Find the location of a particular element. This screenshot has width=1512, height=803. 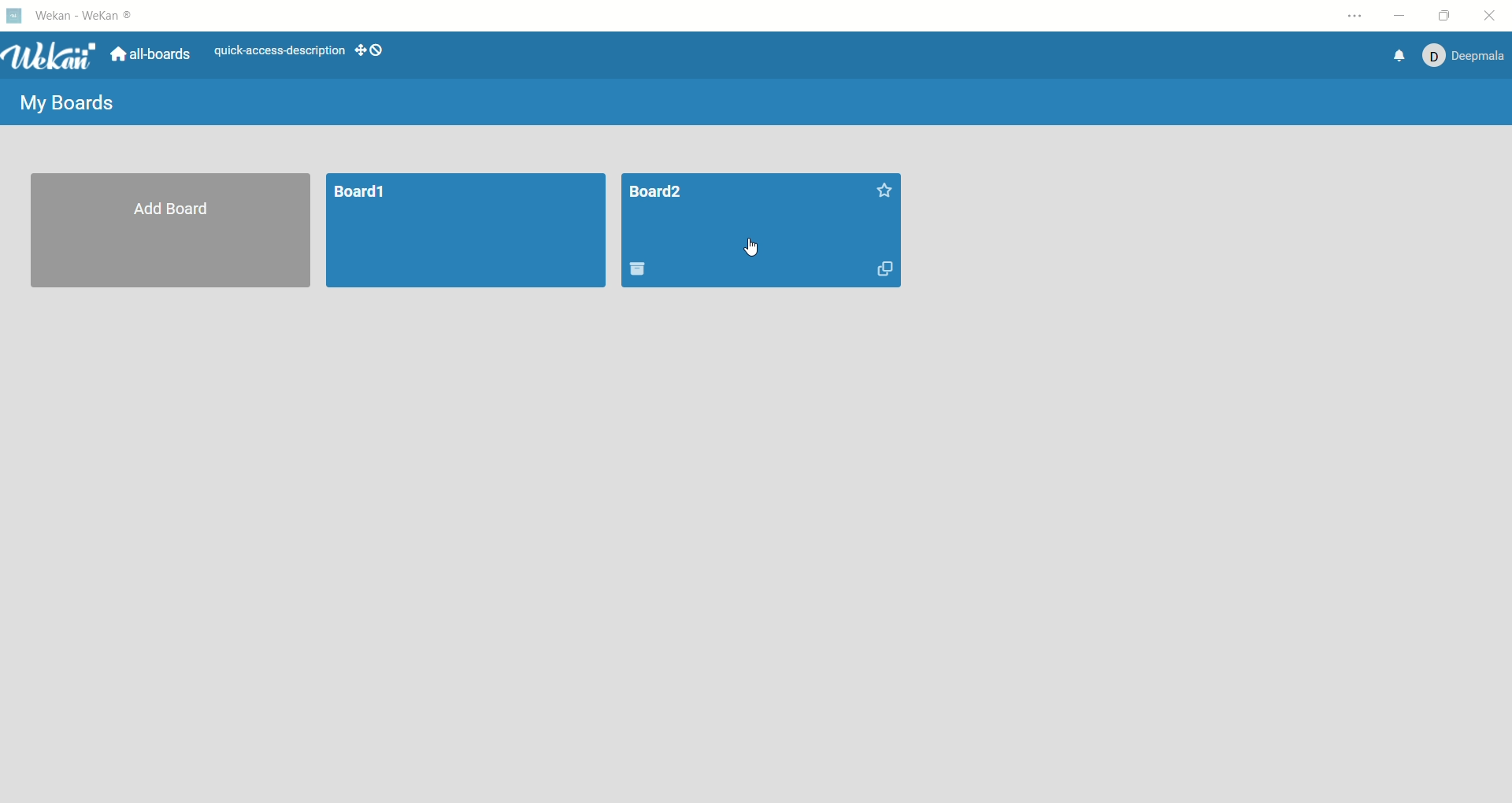

text is located at coordinates (272, 48).